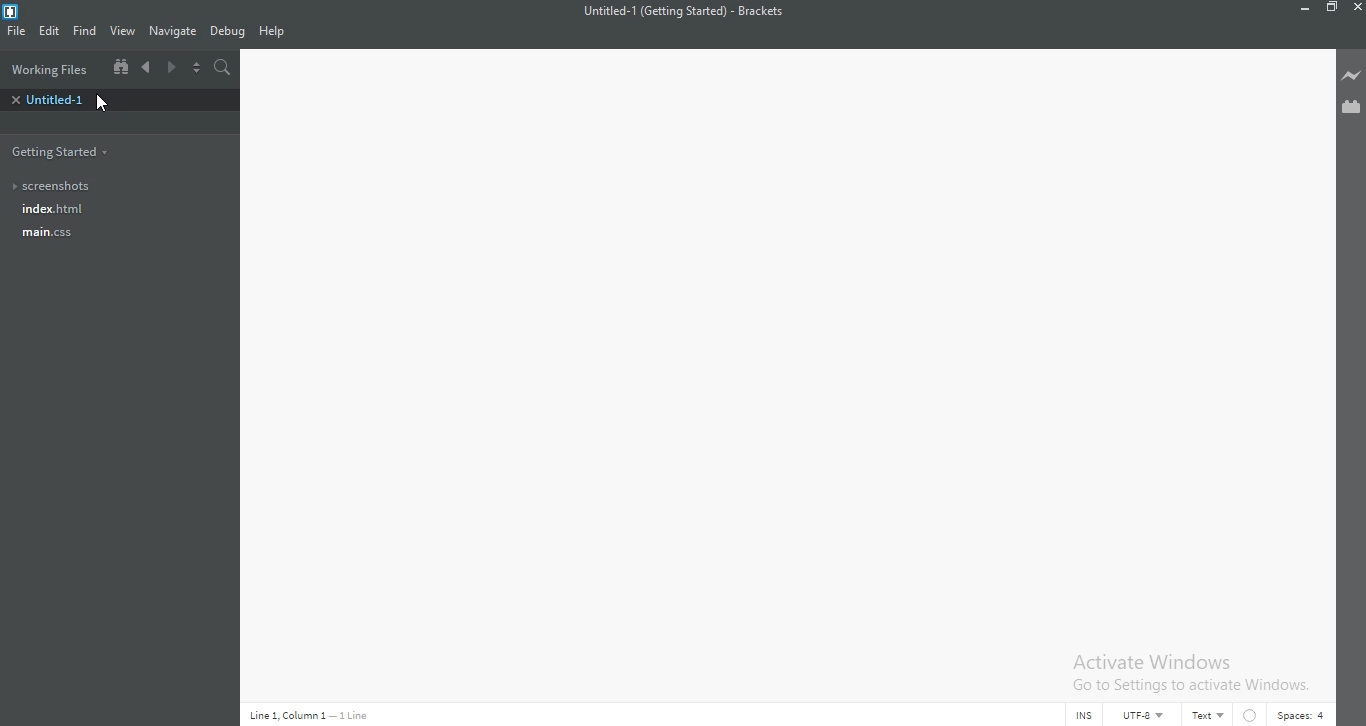 The image size is (1366, 726). What do you see at coordinates (119, 69) in the screenshot?
I see `Show file tree` at bounding box center [119, 69].